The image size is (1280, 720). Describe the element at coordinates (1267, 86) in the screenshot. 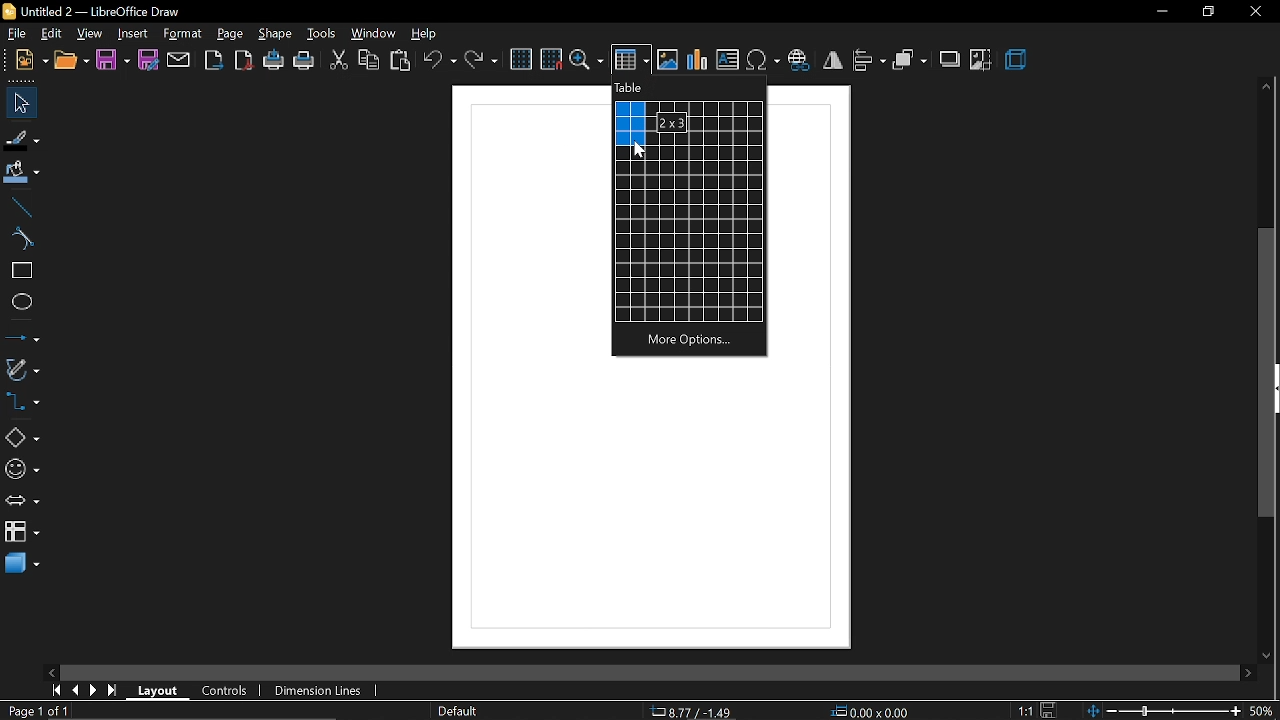

I see `move up` at that location.